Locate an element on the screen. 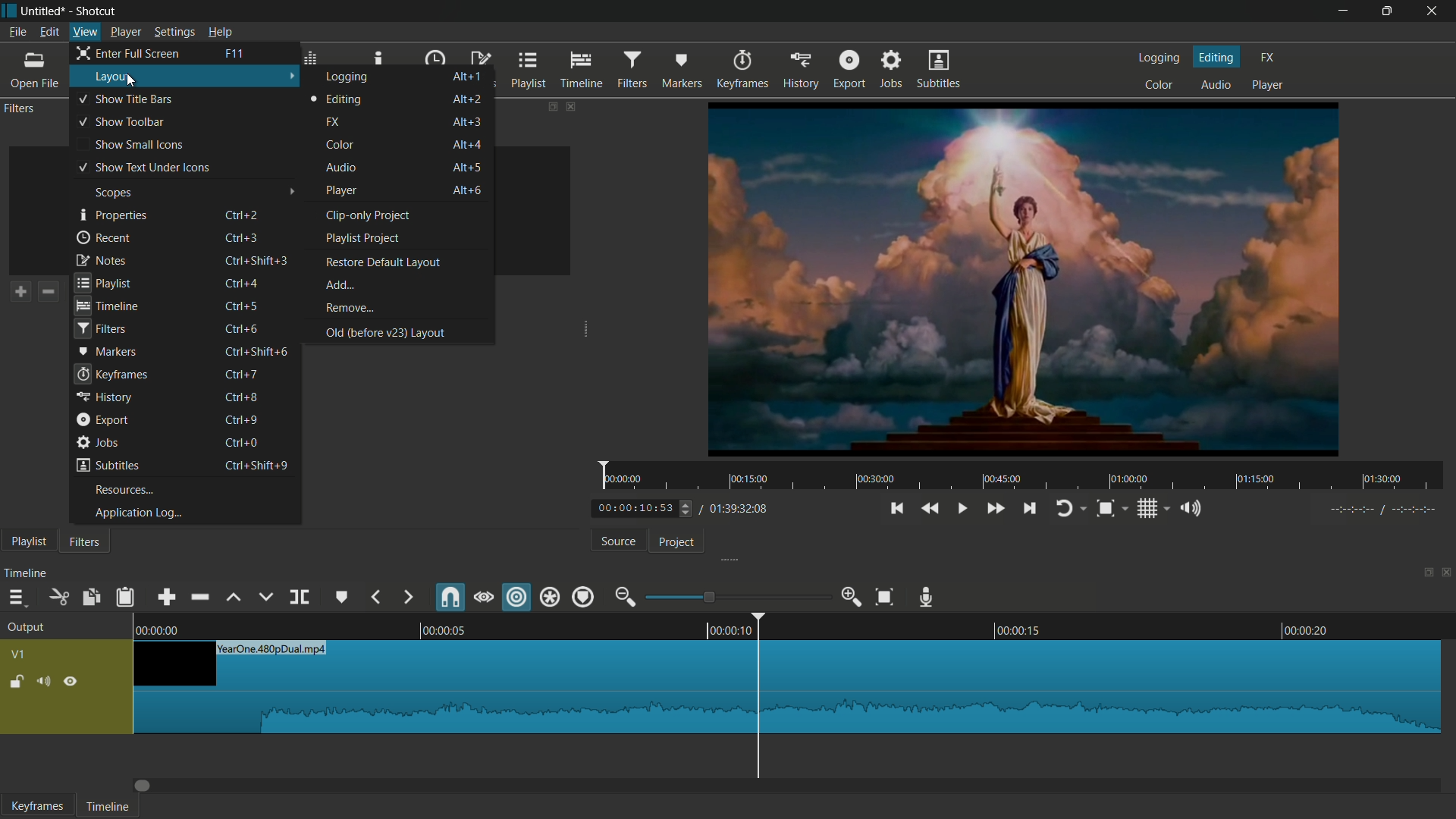 Image resolution: width=1456 pixels, height=819 pixels. overwrite is located at coordinates (265, 598).